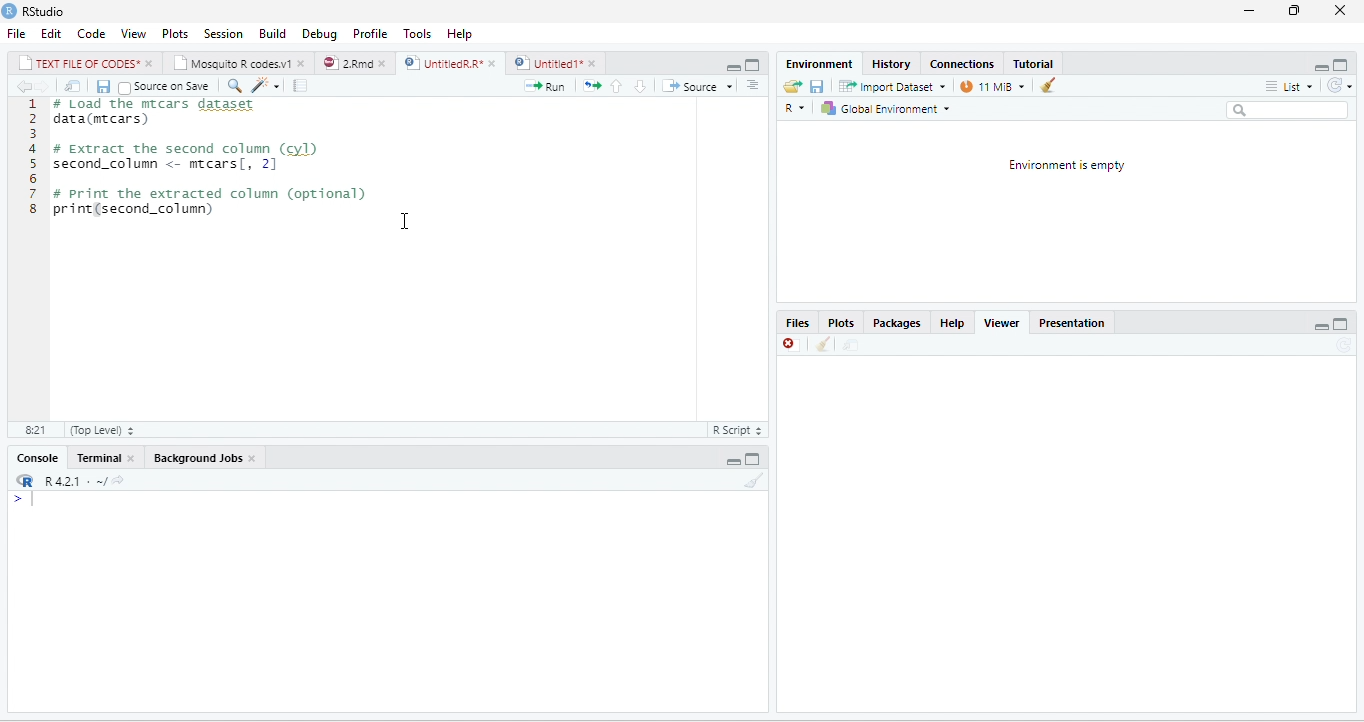 This screenshot has height=722, width=1364. What do you see at coordinates (818, 86) in the screenshot?
I see `save ` at bounding box center [818, 86].